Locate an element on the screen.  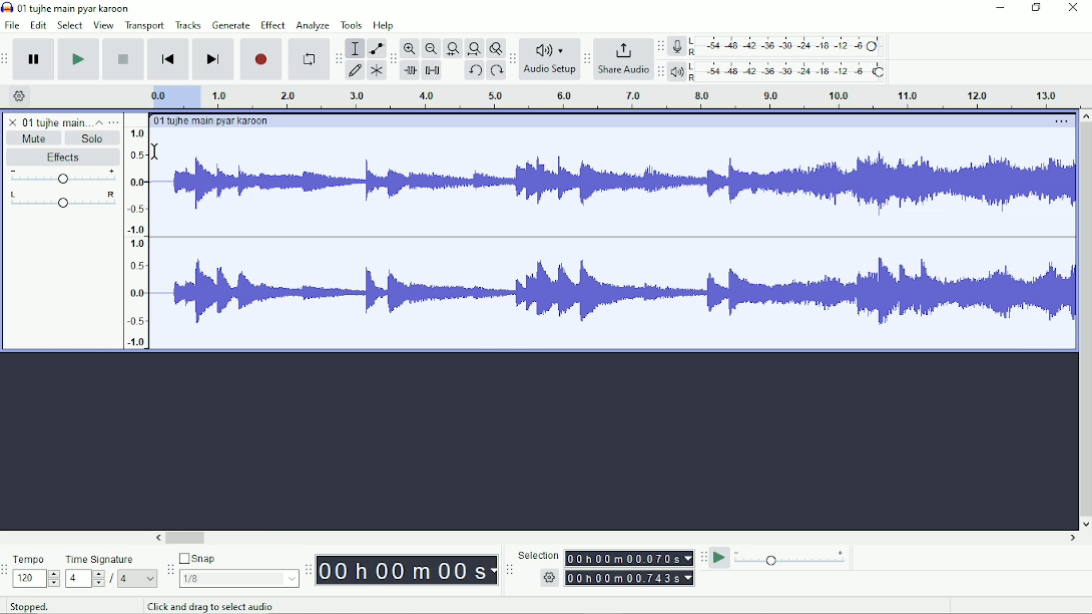
Zoom Out is located at coordinates (431, 49).